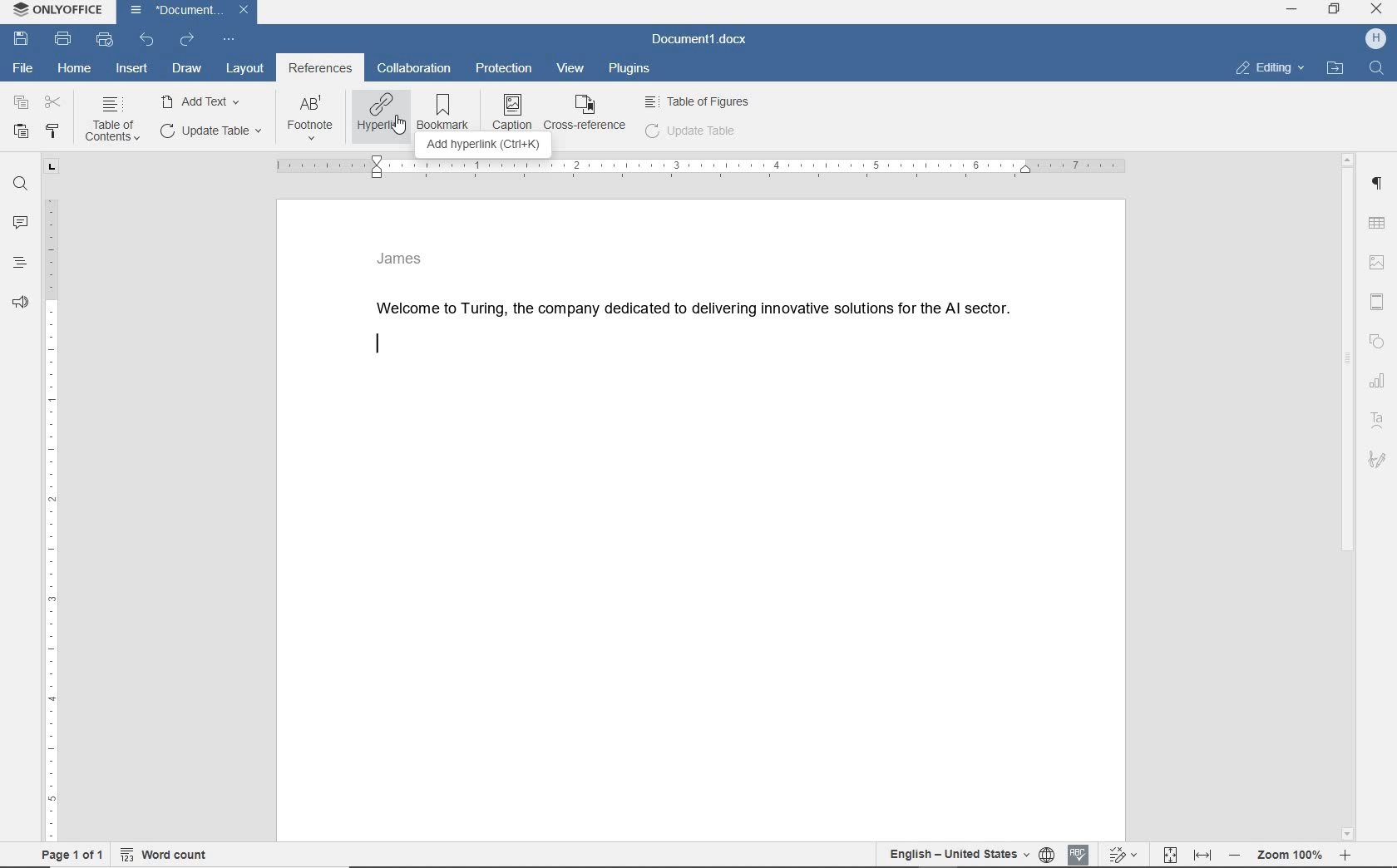 This screenshot has width=1397, height=868. I want to click on ADD HYPERLINK, so click(480, 145).